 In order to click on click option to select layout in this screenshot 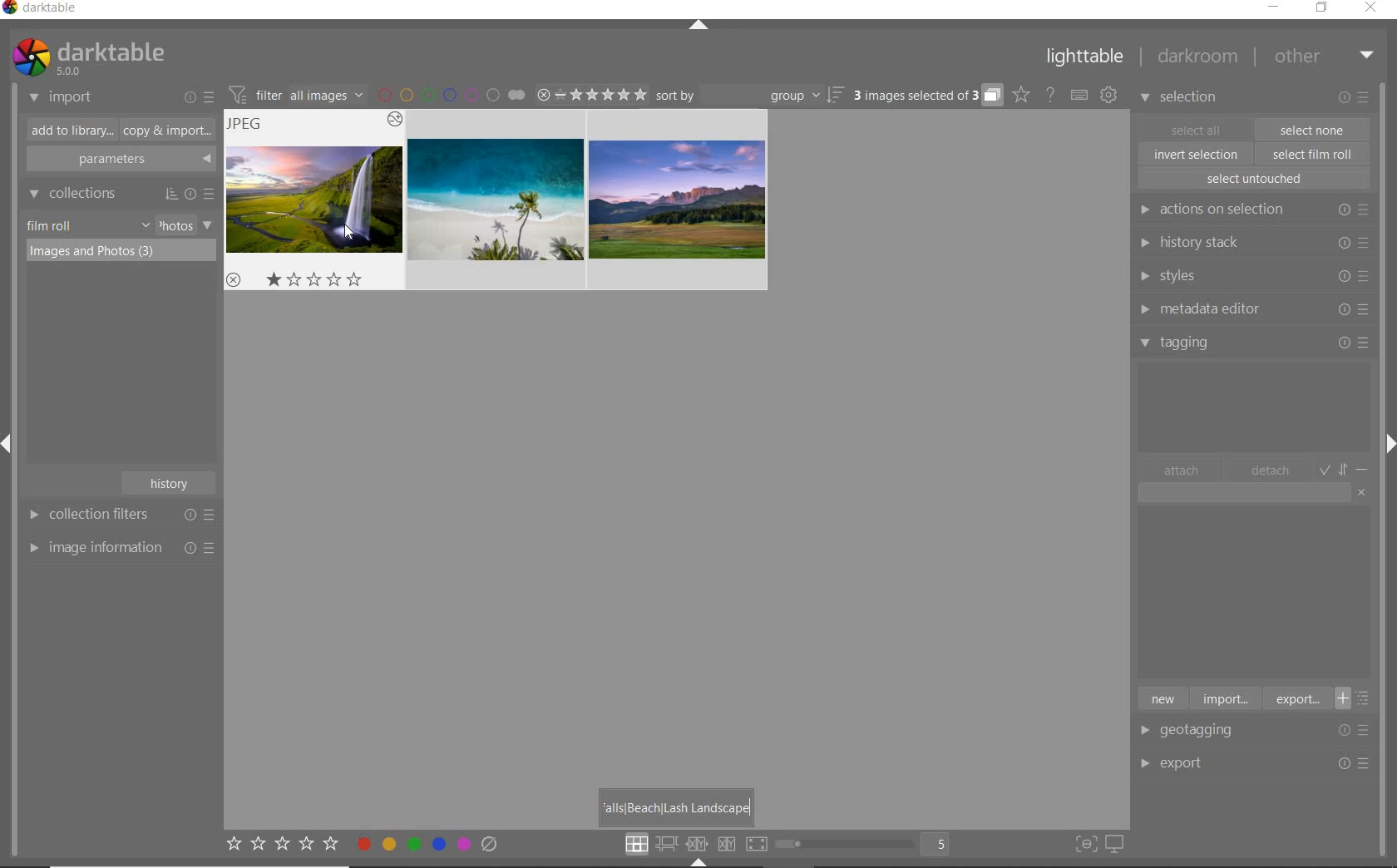, I will do `click(693, 844)`.